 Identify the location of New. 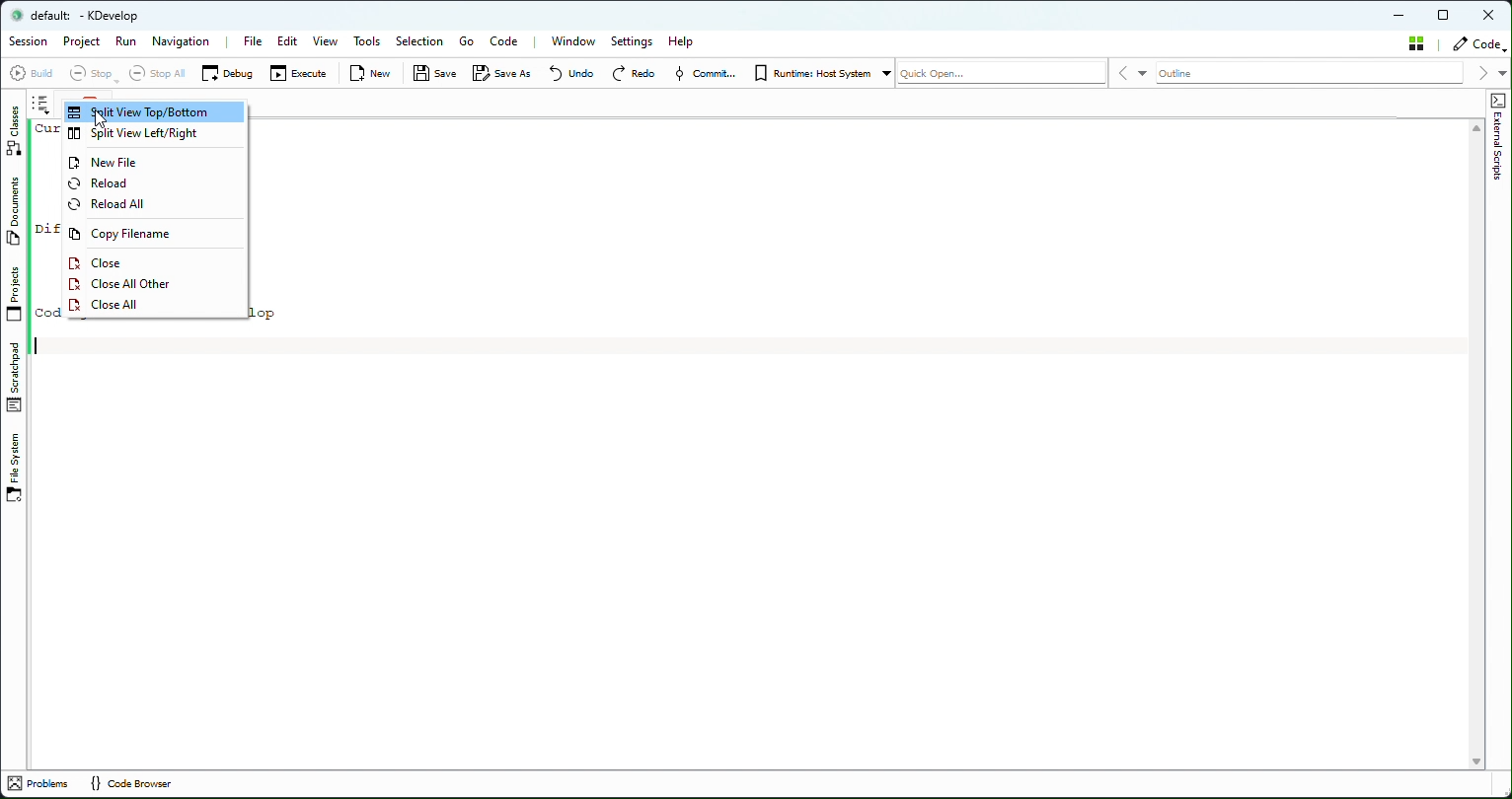
(374, 74).